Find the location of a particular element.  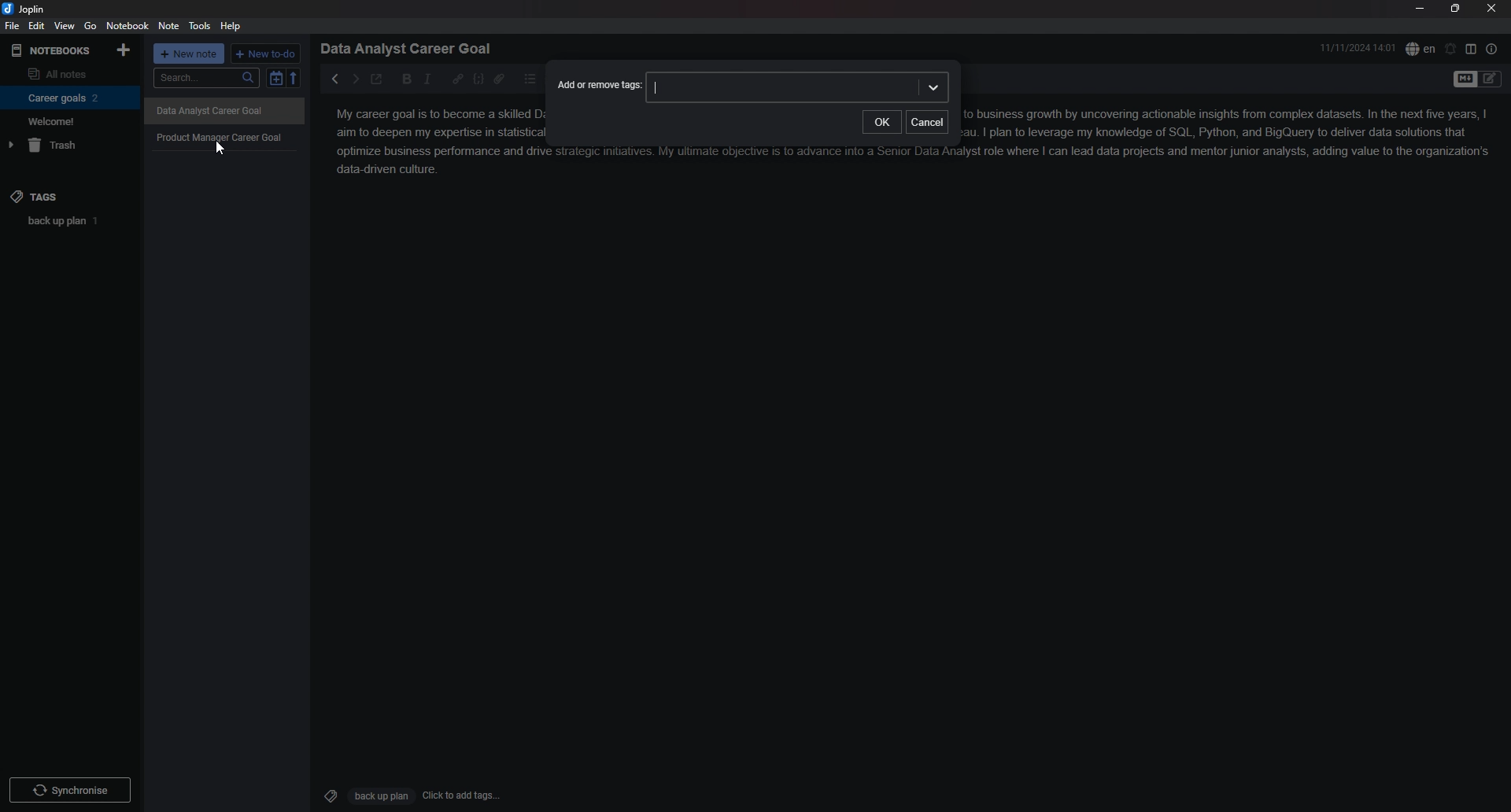

notebook is located at coordinates (127, 25).